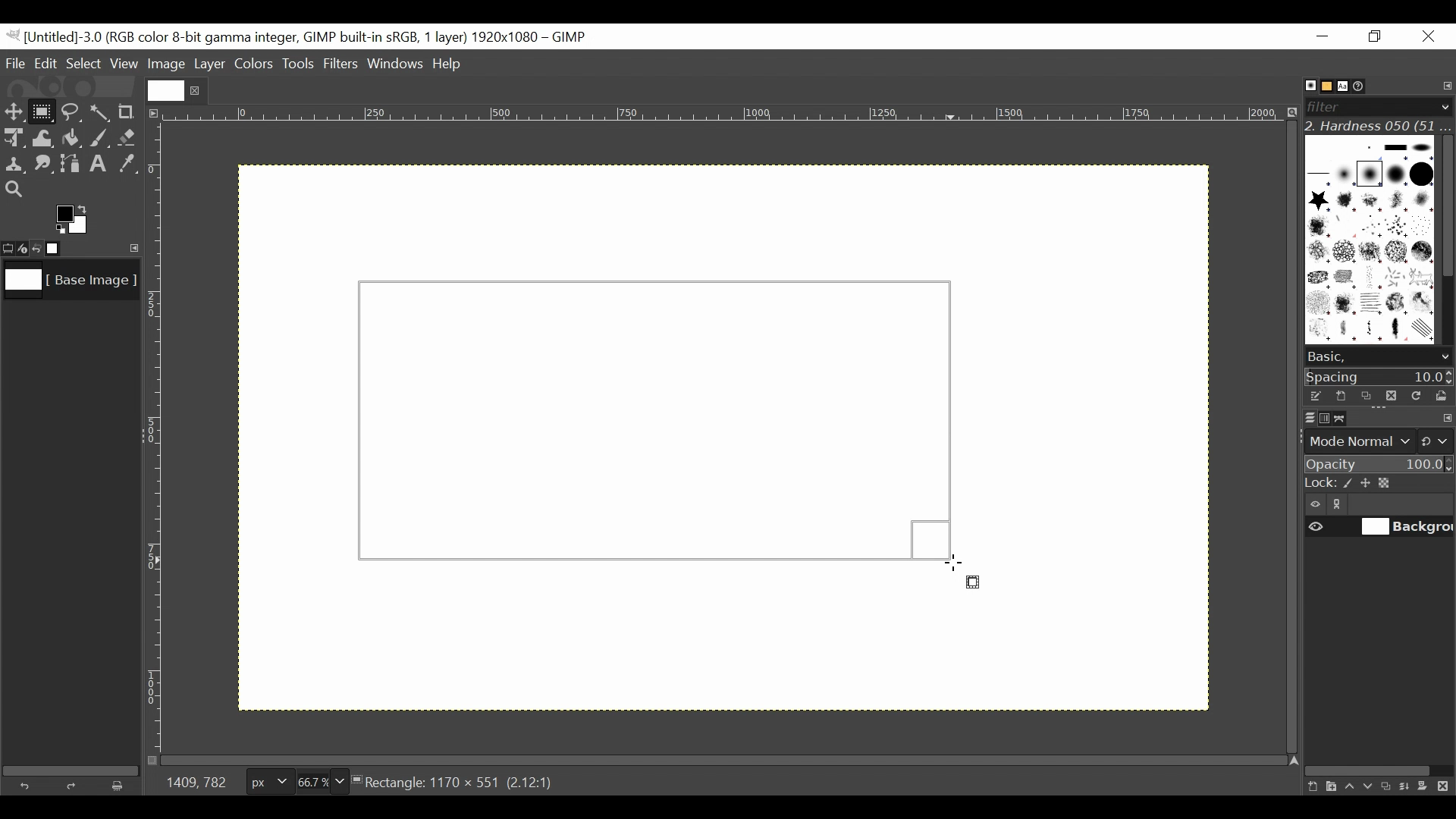 The height and width of the screenshot is (819, 1456). I want to click on Edit the brush, so click(1315, 396).